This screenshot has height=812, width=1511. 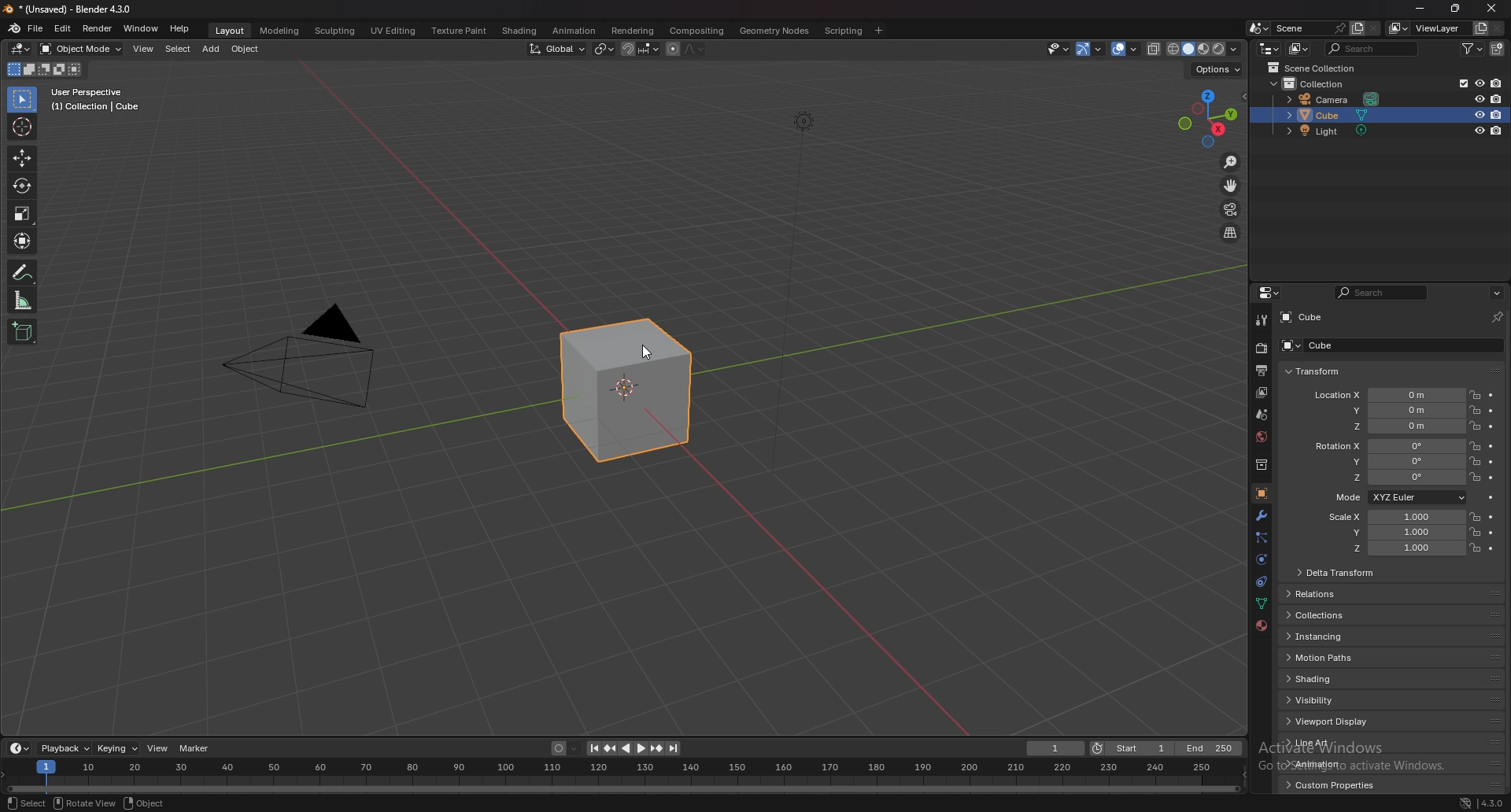 What do you see at coordinates (878, 31) in the screenshot?
I see `add workspace` at bounding box center [878, 31].